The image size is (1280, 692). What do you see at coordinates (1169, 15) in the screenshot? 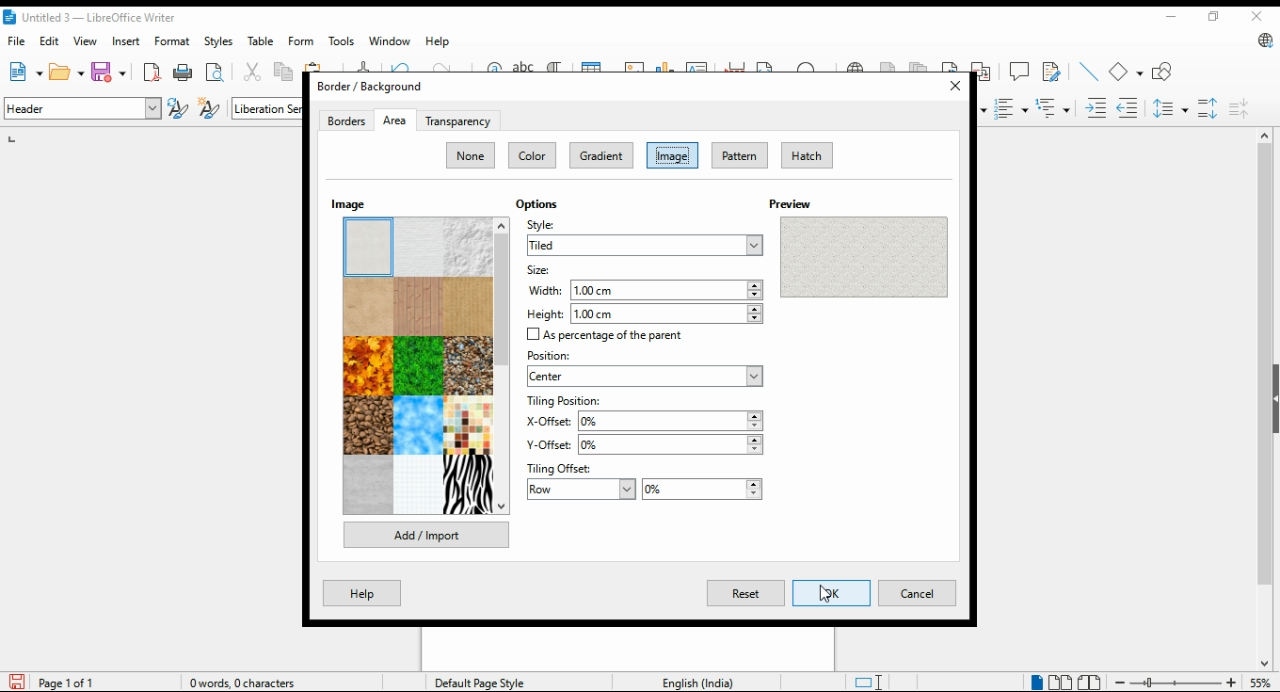
I see `minimize` at bounding box center [1169, 15].